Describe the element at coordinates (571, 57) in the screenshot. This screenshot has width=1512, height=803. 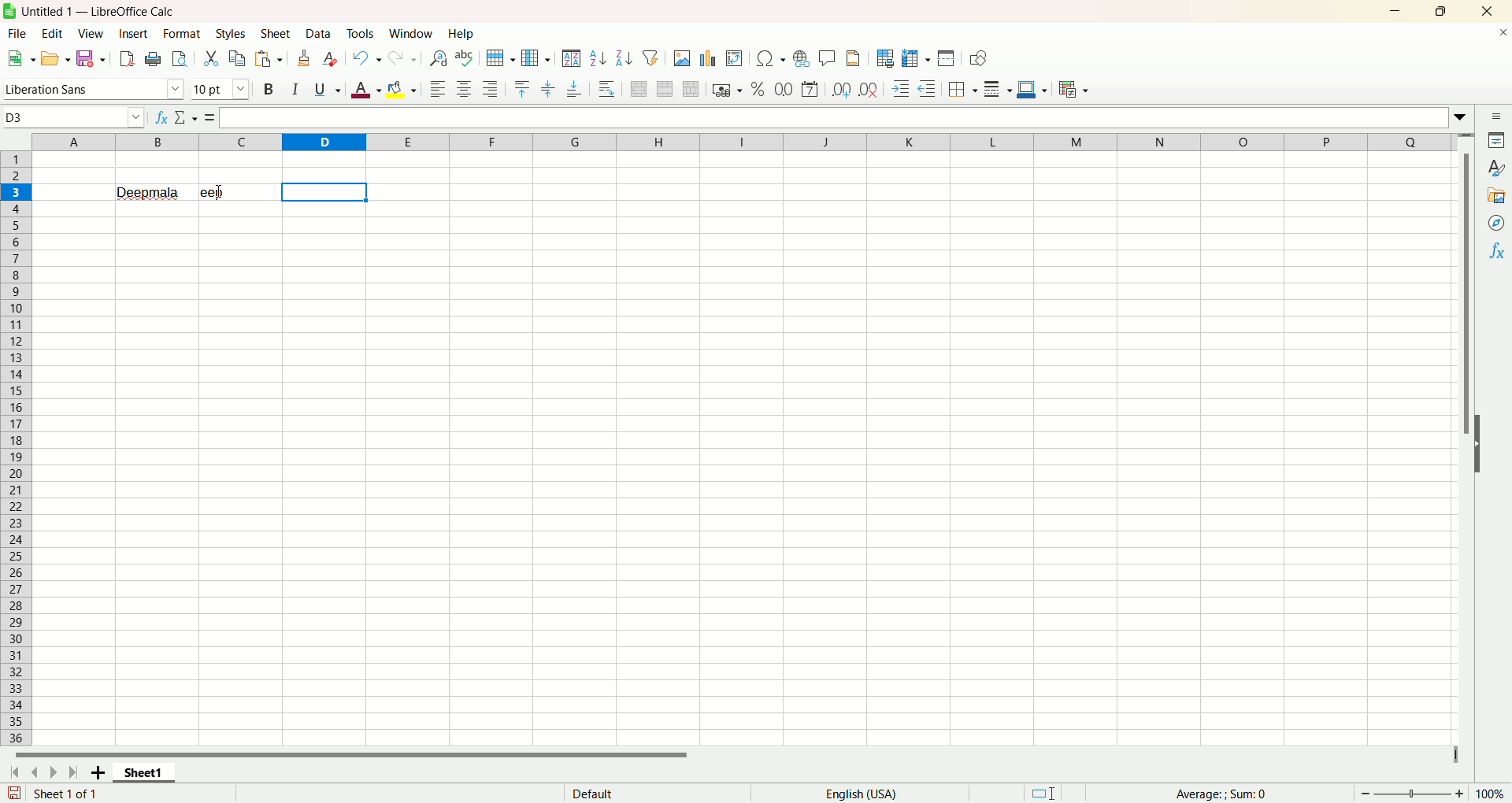
I see `Sort` at that location.